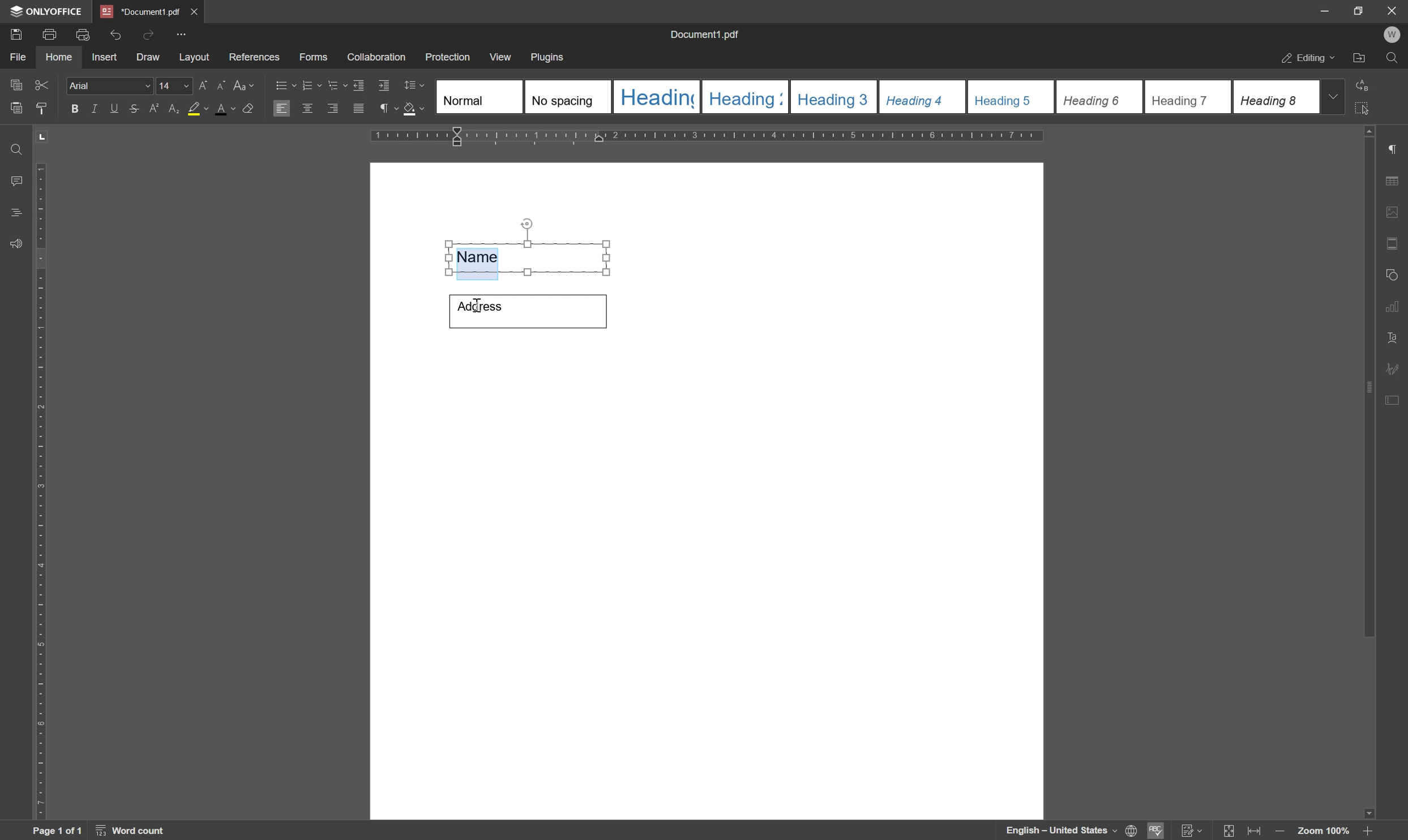  What do you see at coordinates (59, 57) in the screenshot?
I see `home` at bounding box center [59, 57].